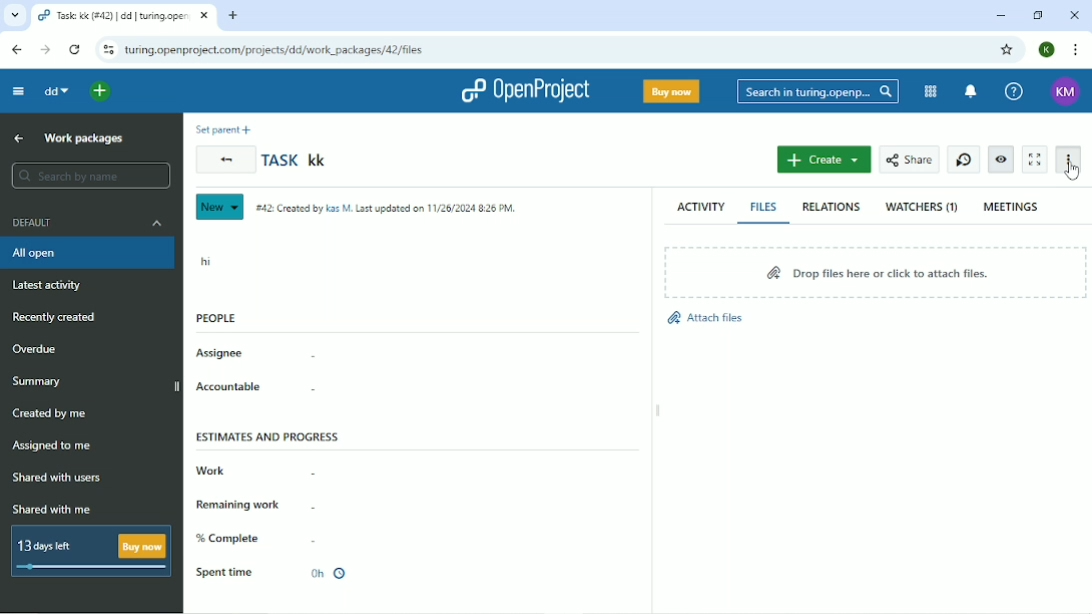 This screenshot has width=1092, height=614. I want to click on 13 days left Buy now, so click(92, 551).